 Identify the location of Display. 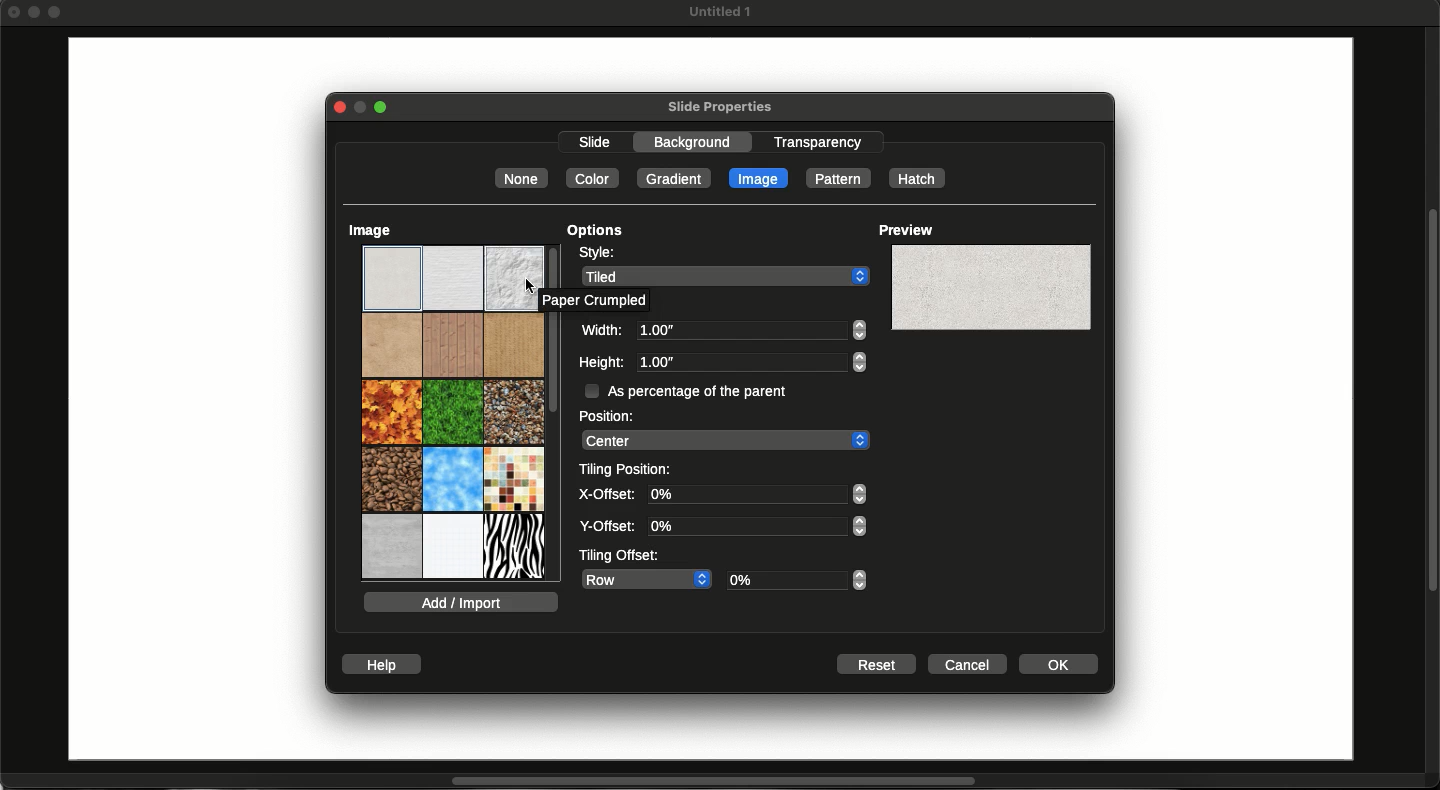
(989, 287).